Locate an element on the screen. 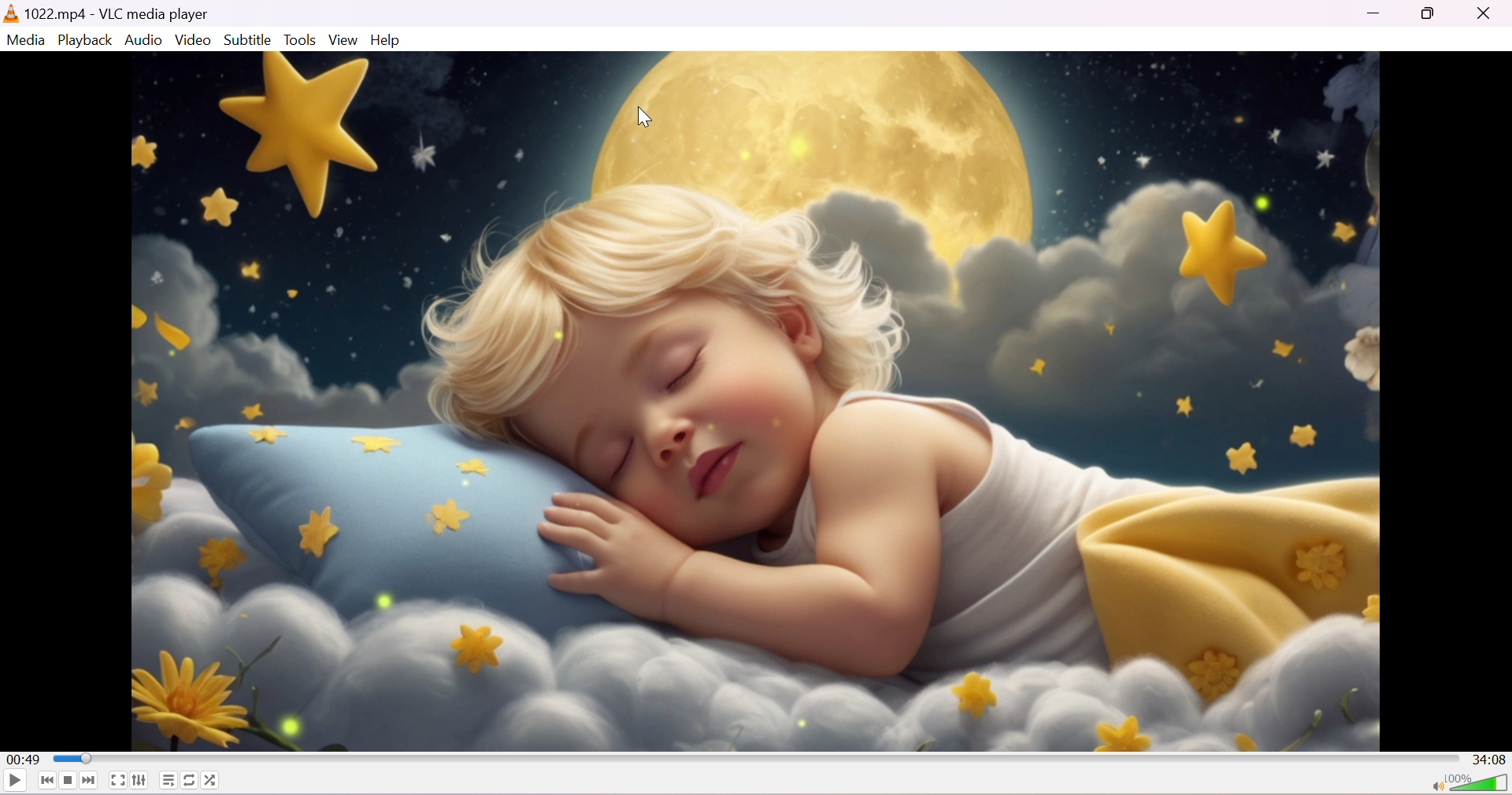  playback is located at coordinates (759, 401).